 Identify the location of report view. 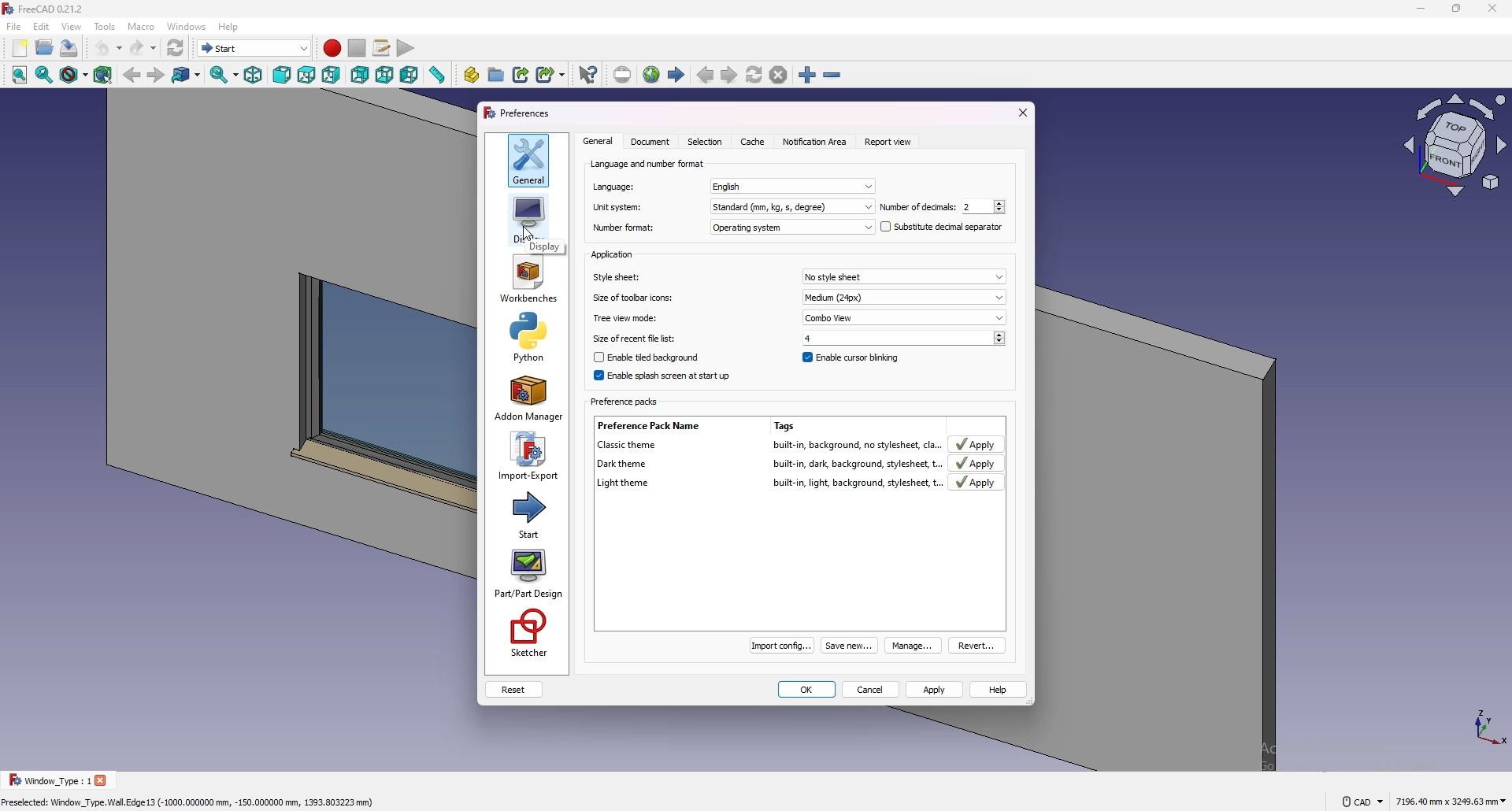
(888, 142).